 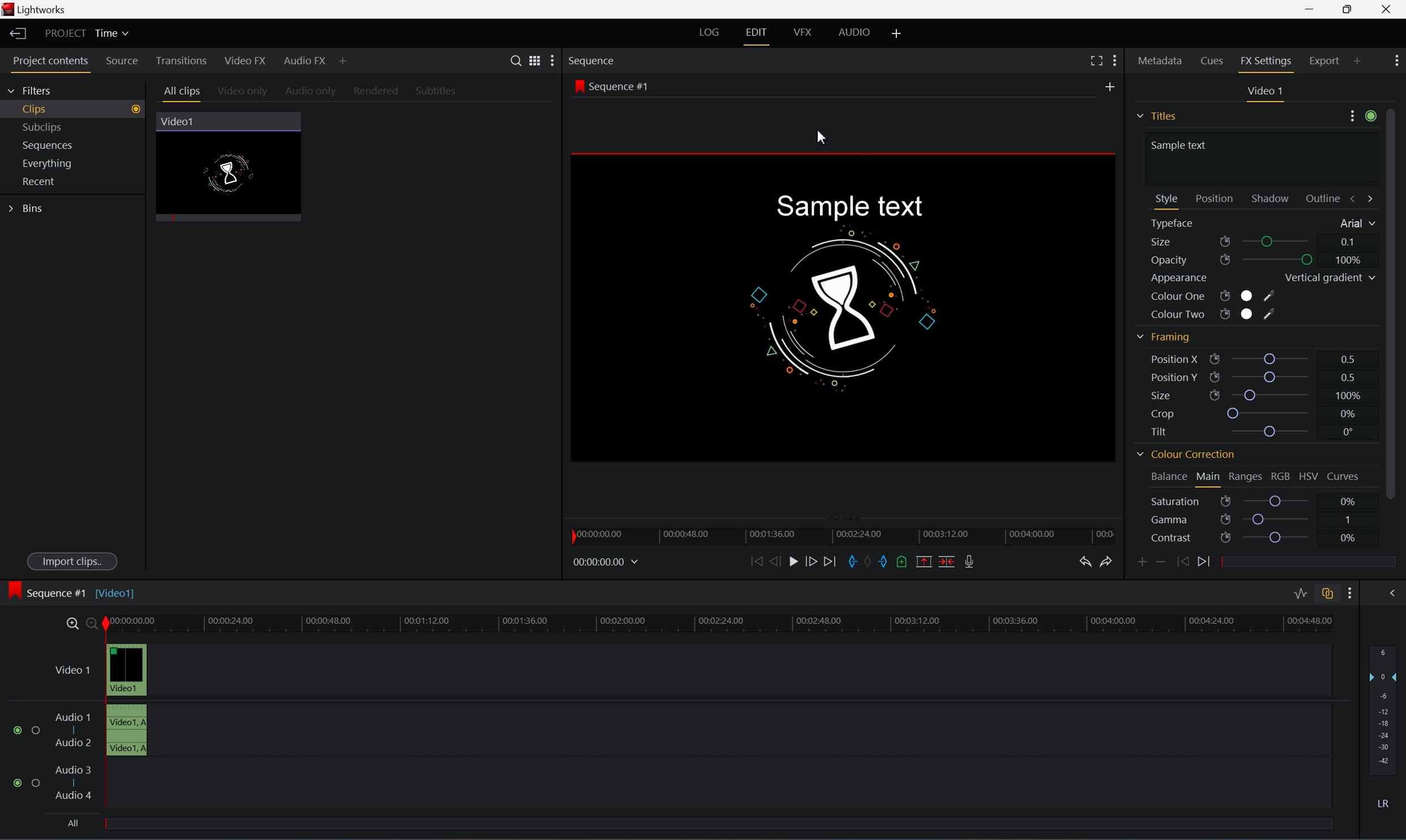 I want to click on crop, so click(x=1166, y=414).